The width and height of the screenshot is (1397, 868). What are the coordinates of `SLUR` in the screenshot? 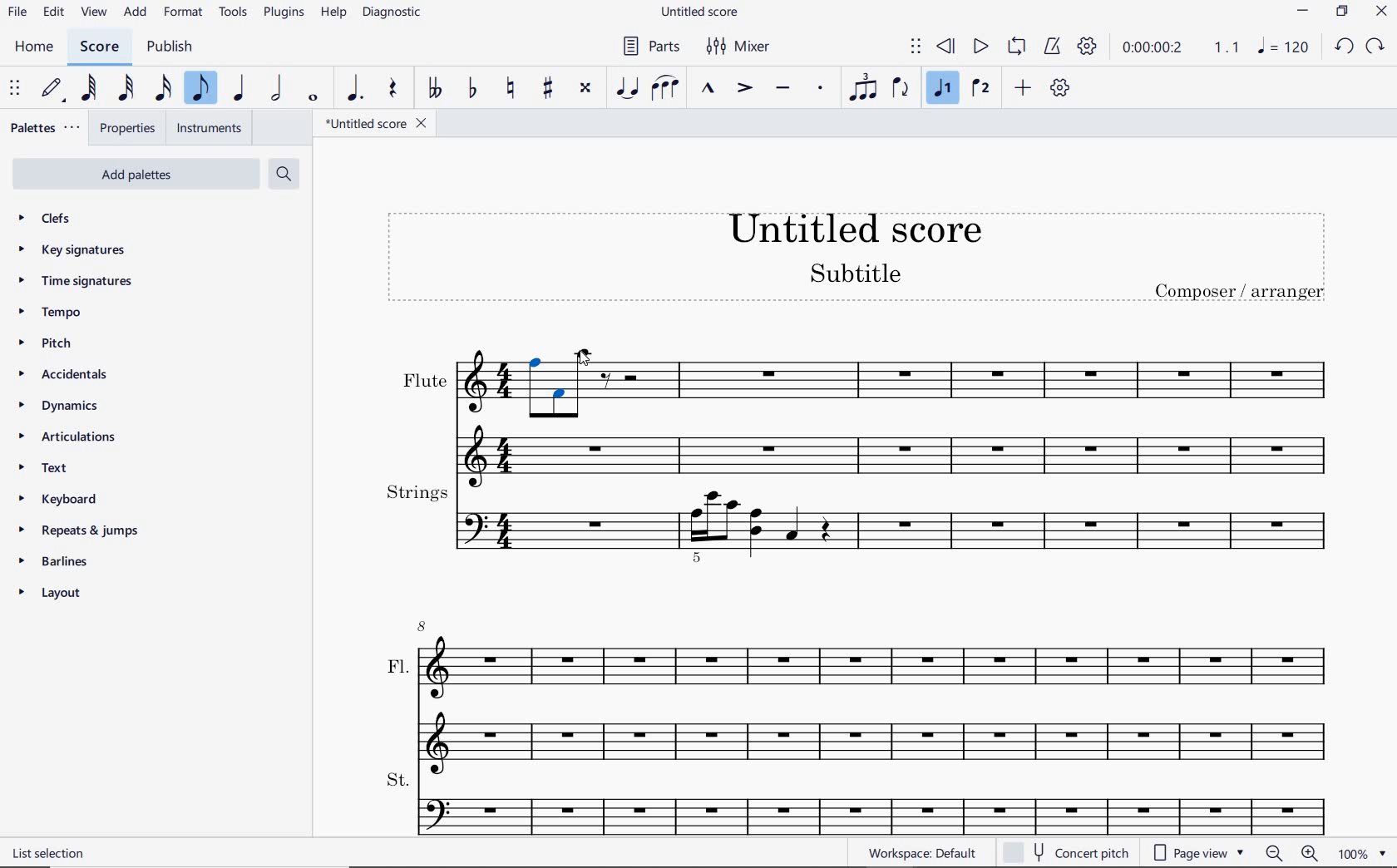 It's located at (665, 89).